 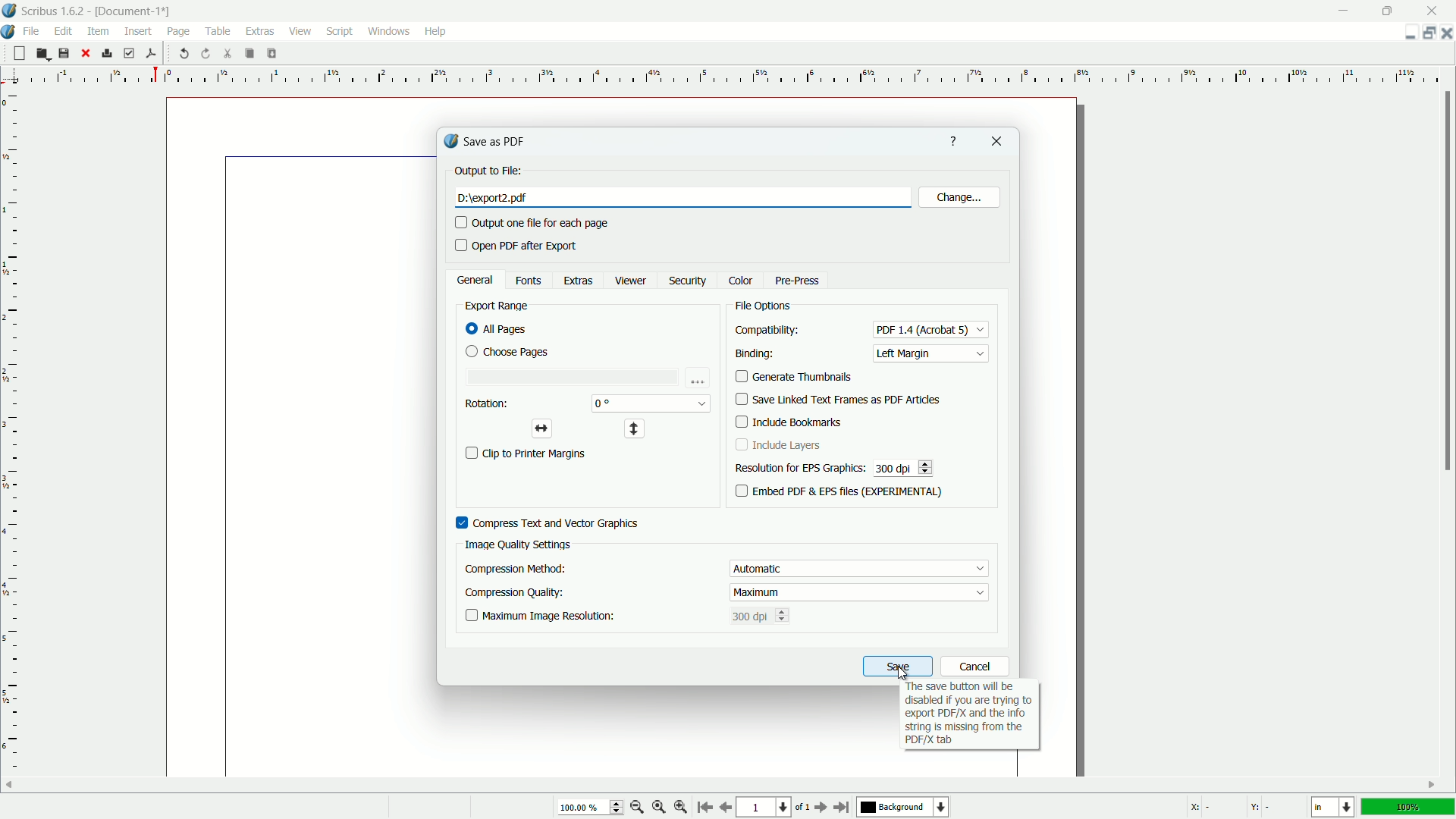 What do you see at coordinates (64, 53) in the screenshot?
I see `save` at bounding box center [64, 53].